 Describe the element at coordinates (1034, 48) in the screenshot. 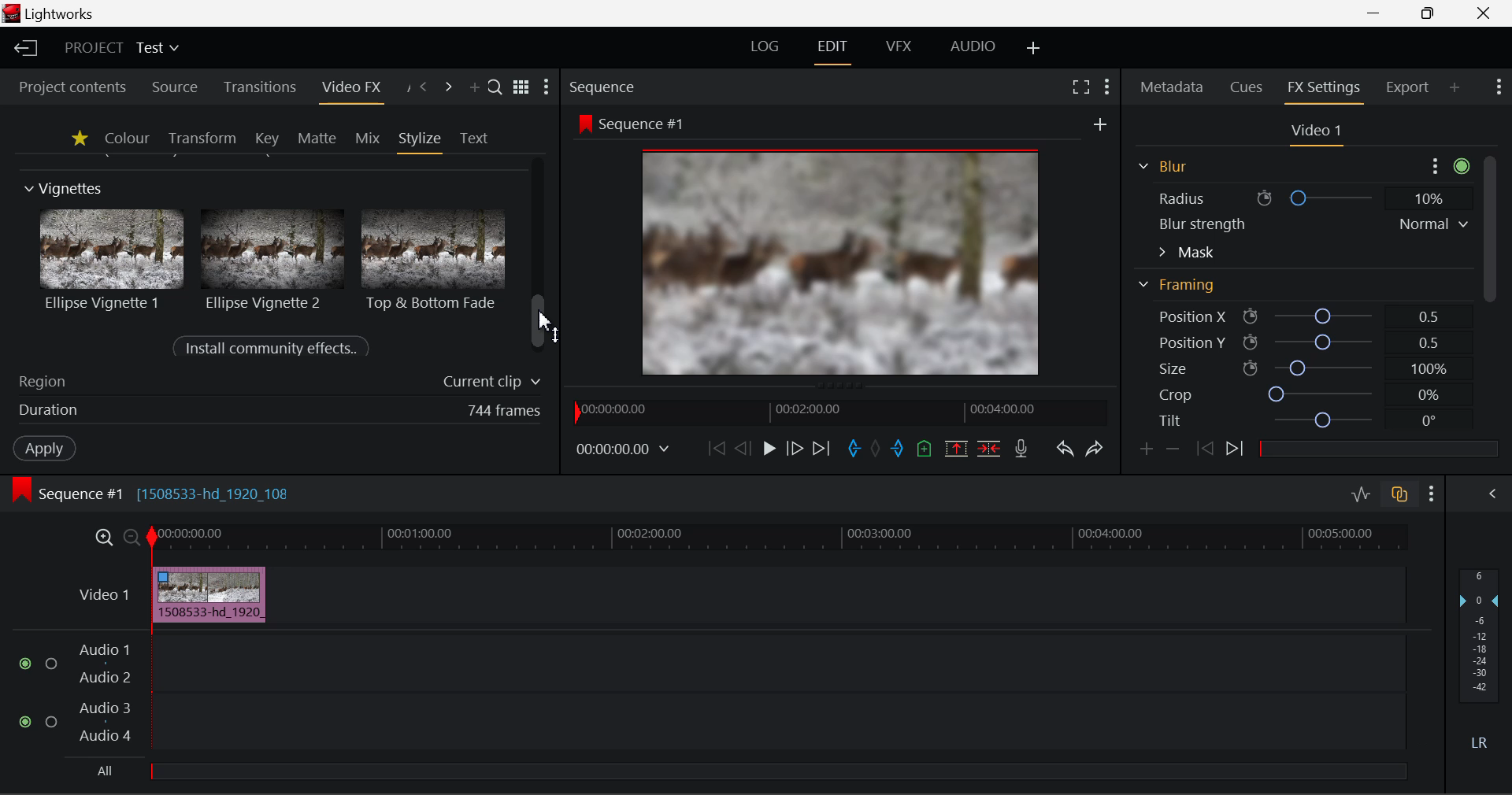

I see `Add Layout` at that location.